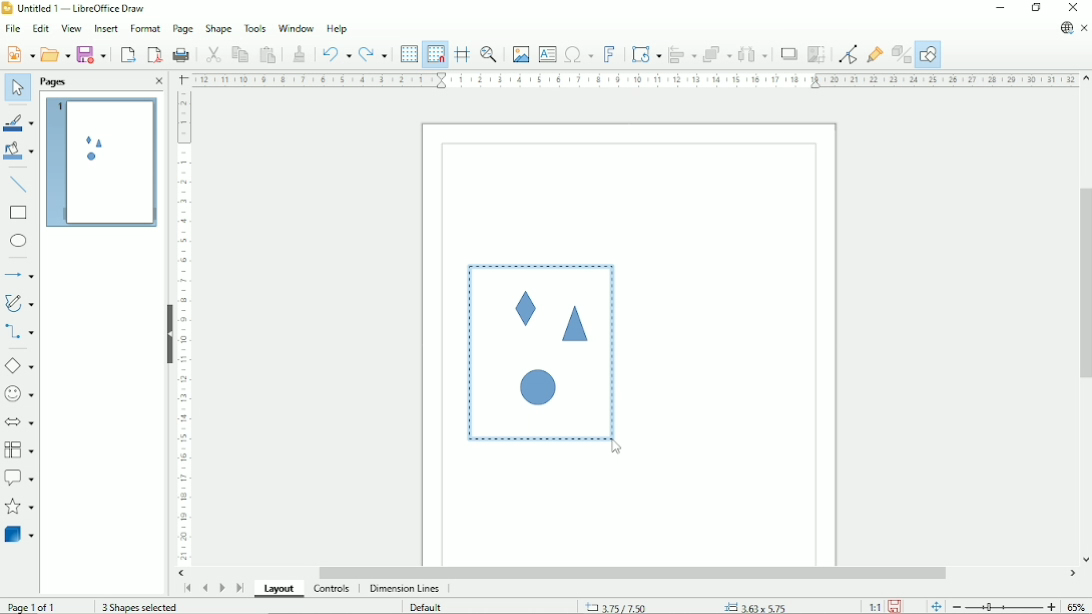 This screenshot has width=1092, height=614. Describe the element at coordinates (17, 89) in the screenshot. I see `Select` at that location.